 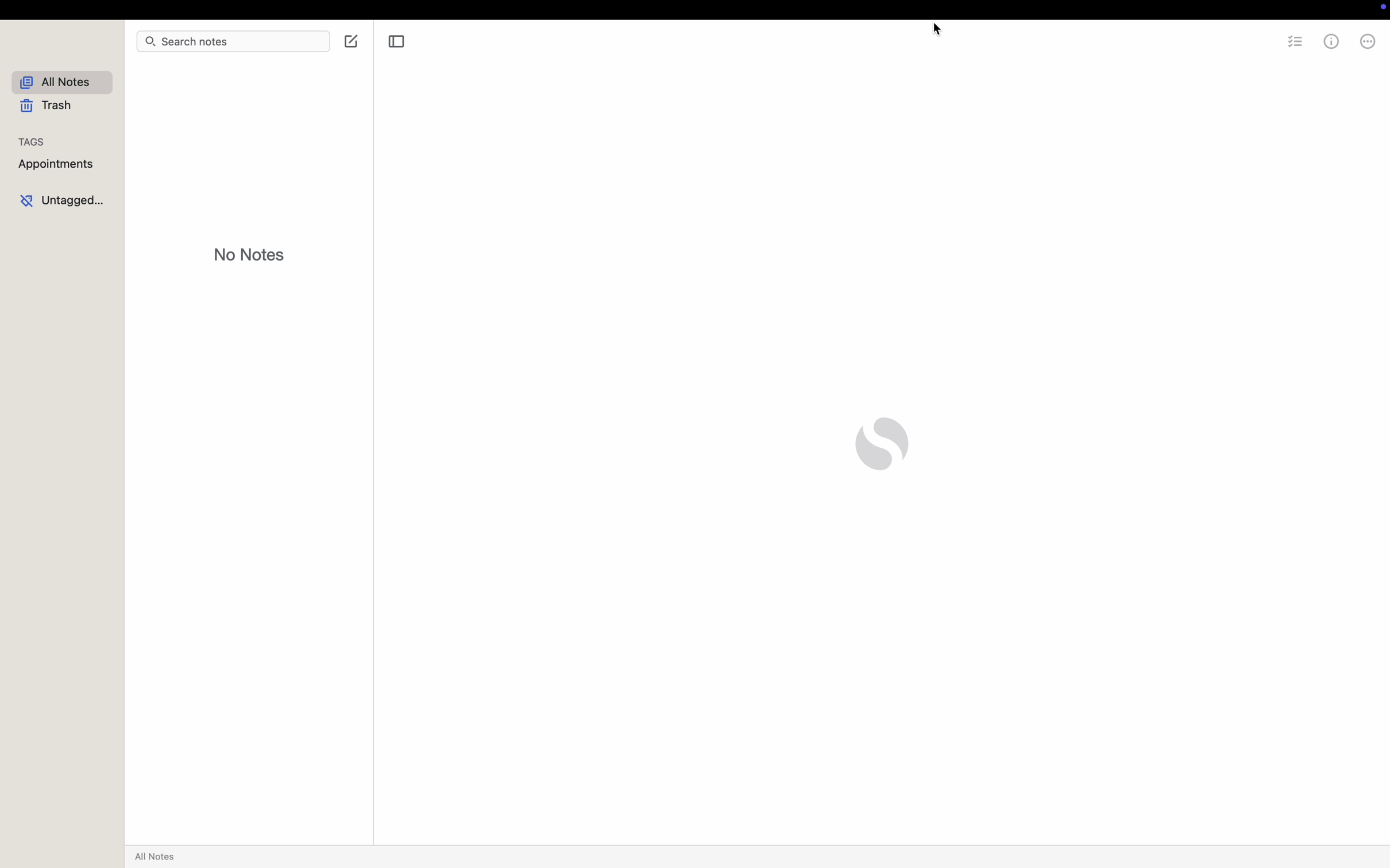 What do you see at coordinates (885, 442) in the screenshot?
I see `Simplenote logo` at bounding box center [885, 442].